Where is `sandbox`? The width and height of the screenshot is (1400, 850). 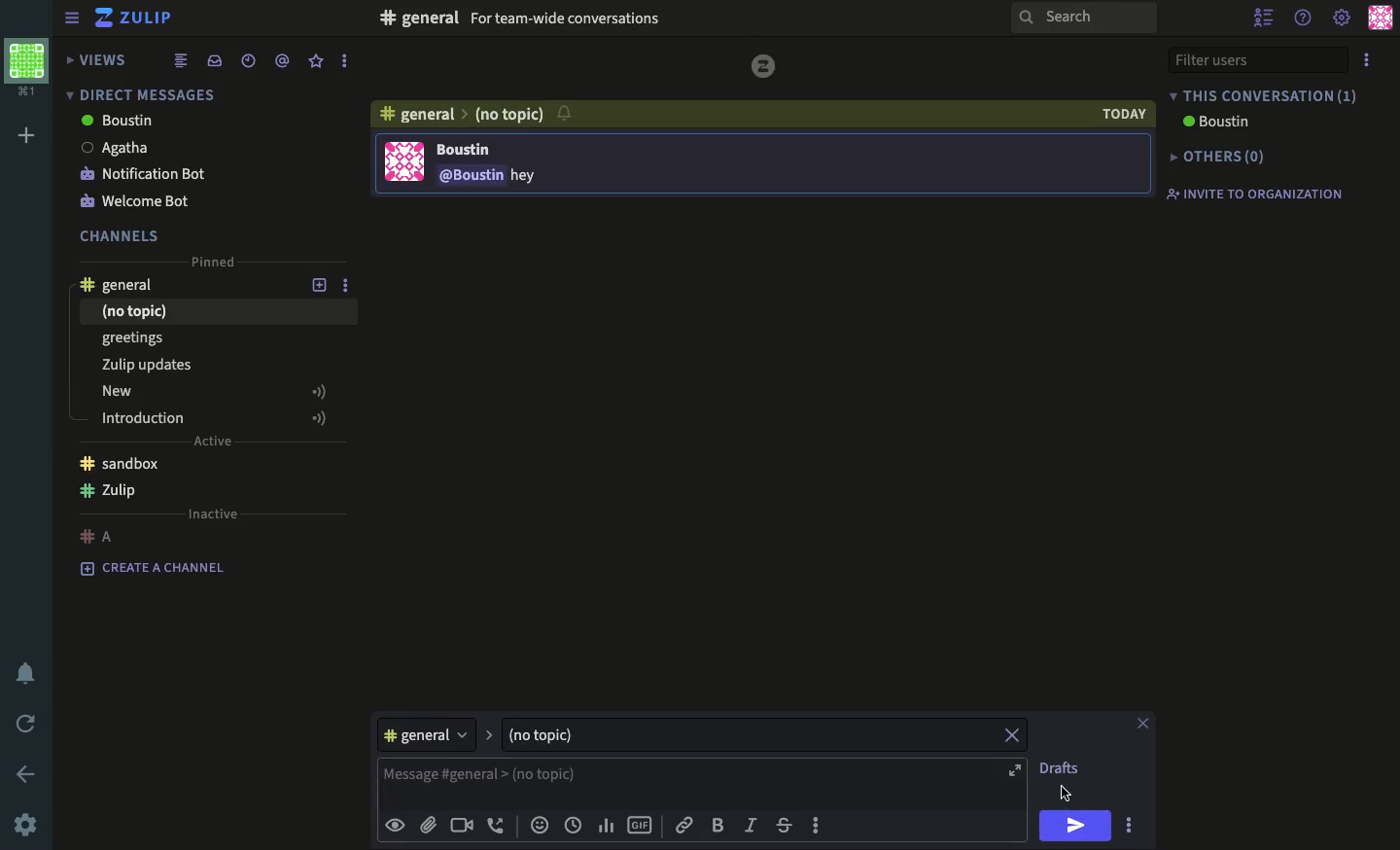
sandbox is located at coordinates (120, 462).